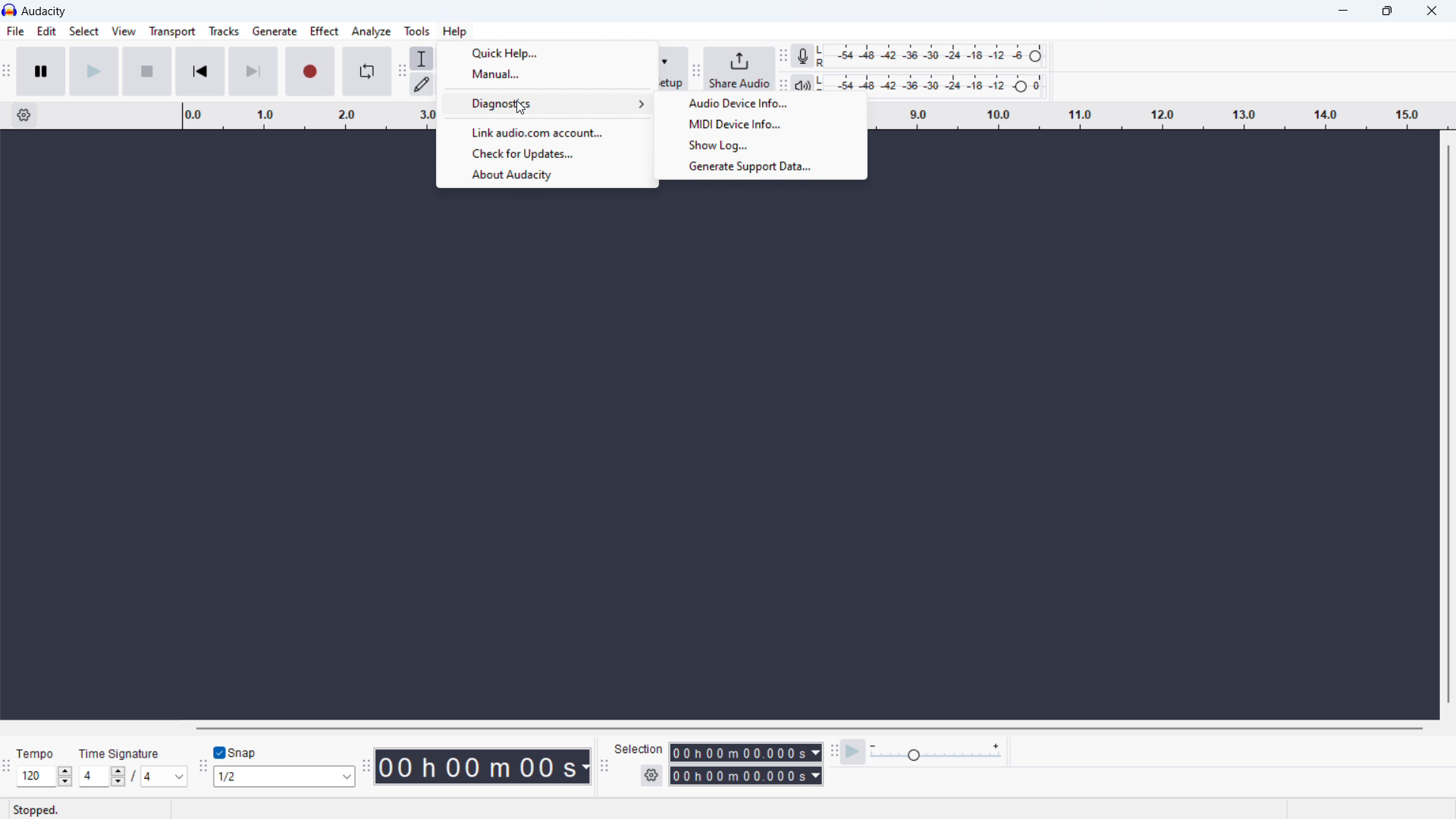  What do you see at coordinates (366, 767) in the screenshot?
I see `time toolbar` at bounding box center [366, 767].